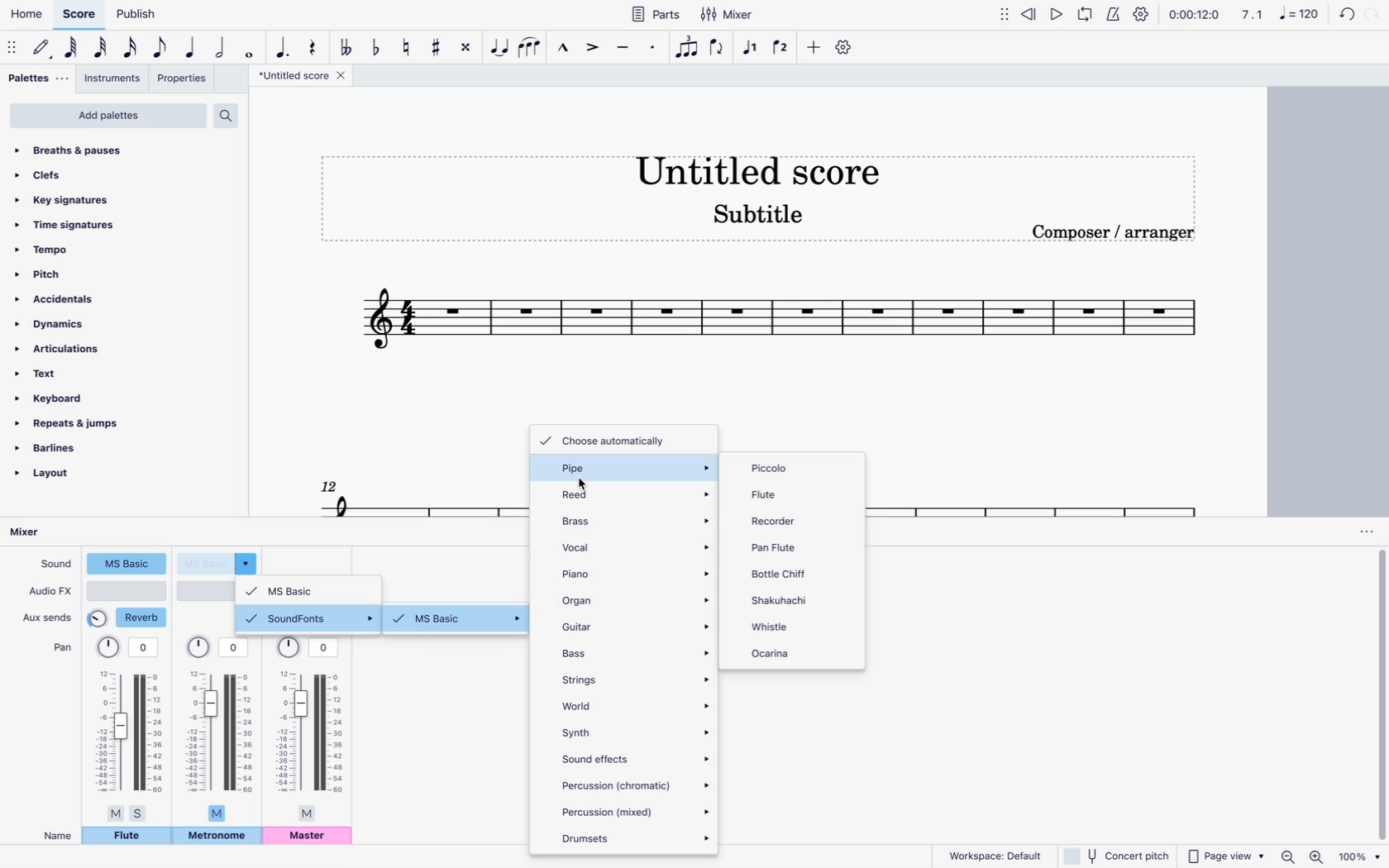 The width and height of the screenshot is (1389, 868). What do you see at coordinates (103, 49) in the screenshot?
I see `32nd note` at bounding box center [103, 49].